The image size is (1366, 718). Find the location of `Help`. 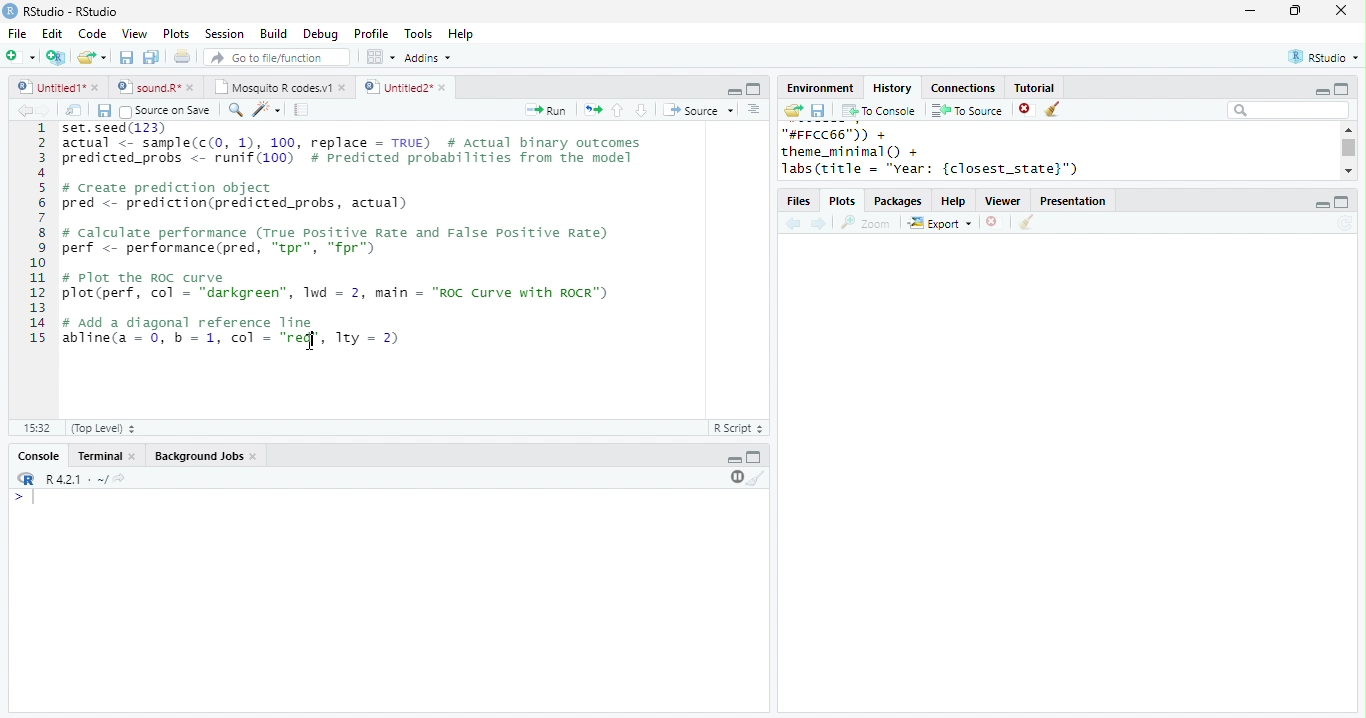

Help is located at coordinates (461, 35).